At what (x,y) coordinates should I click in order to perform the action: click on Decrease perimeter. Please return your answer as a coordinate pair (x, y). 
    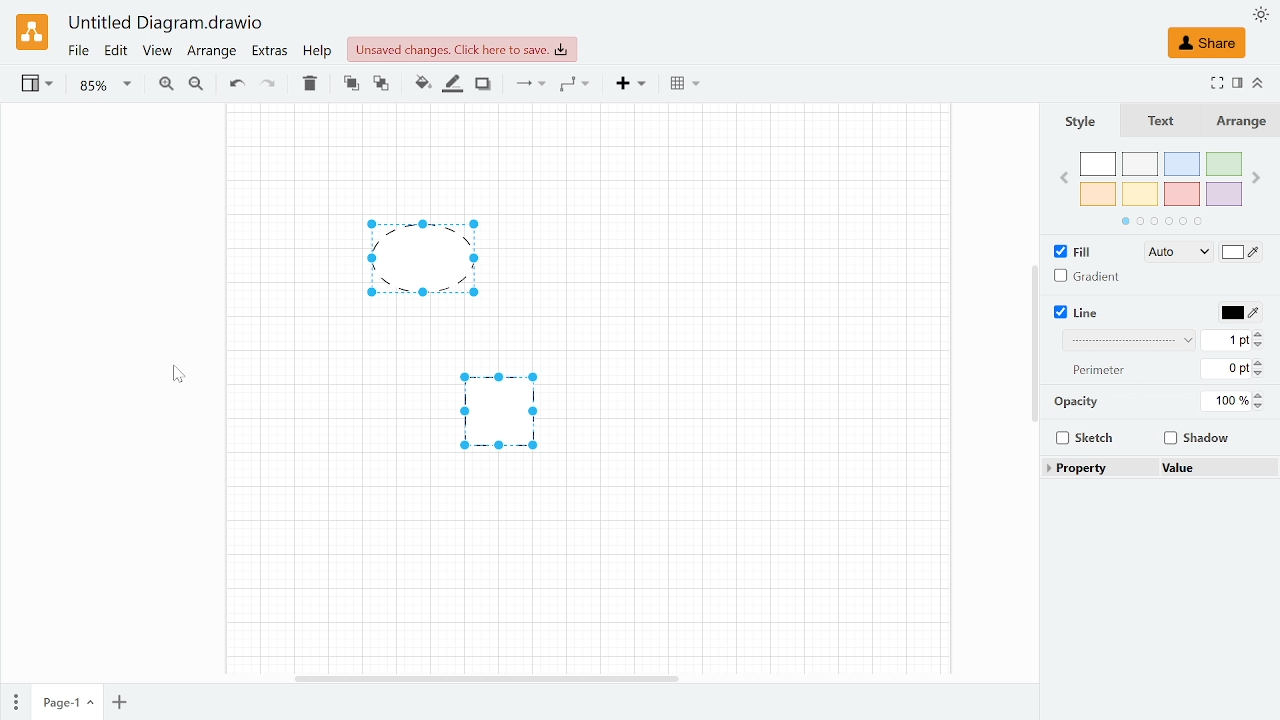
    Looking at the image, I should click on (1262, 374).